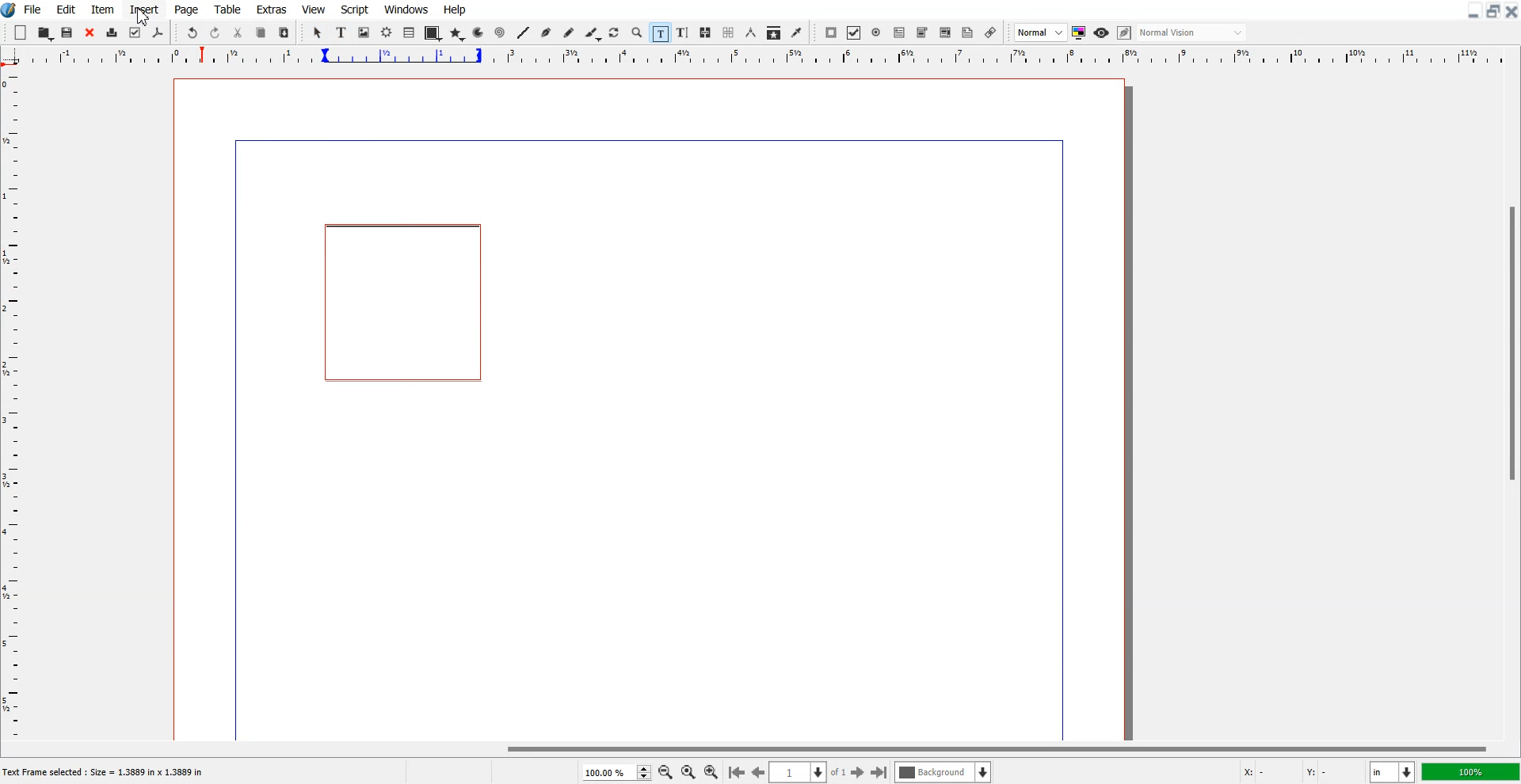 The image size is (1521, 784). I want to click on Maximize, so click(1494, 10).